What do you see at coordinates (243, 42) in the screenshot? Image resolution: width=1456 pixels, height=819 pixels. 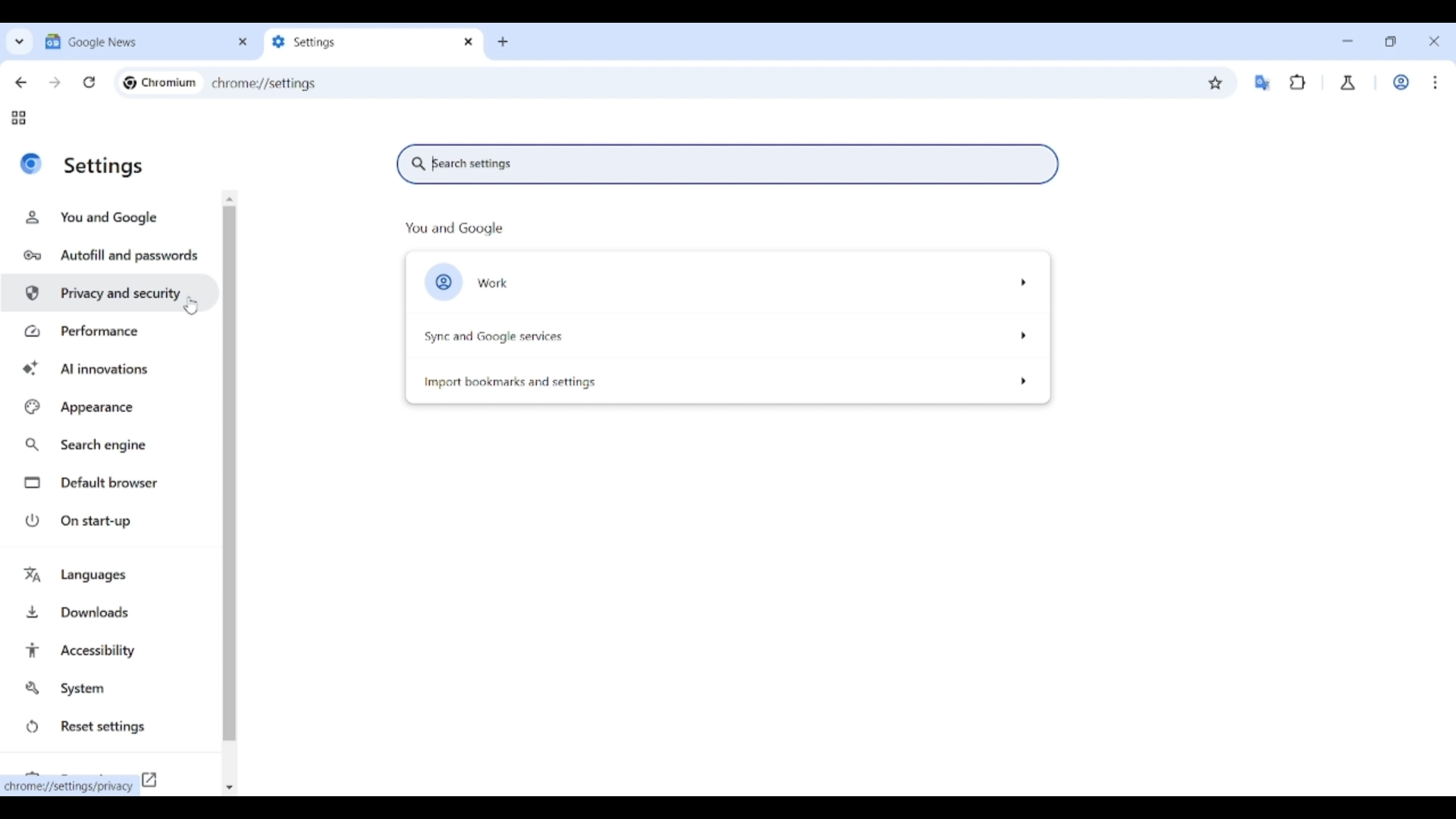 I see `Close tab 1` at bounding box center [243, 42].